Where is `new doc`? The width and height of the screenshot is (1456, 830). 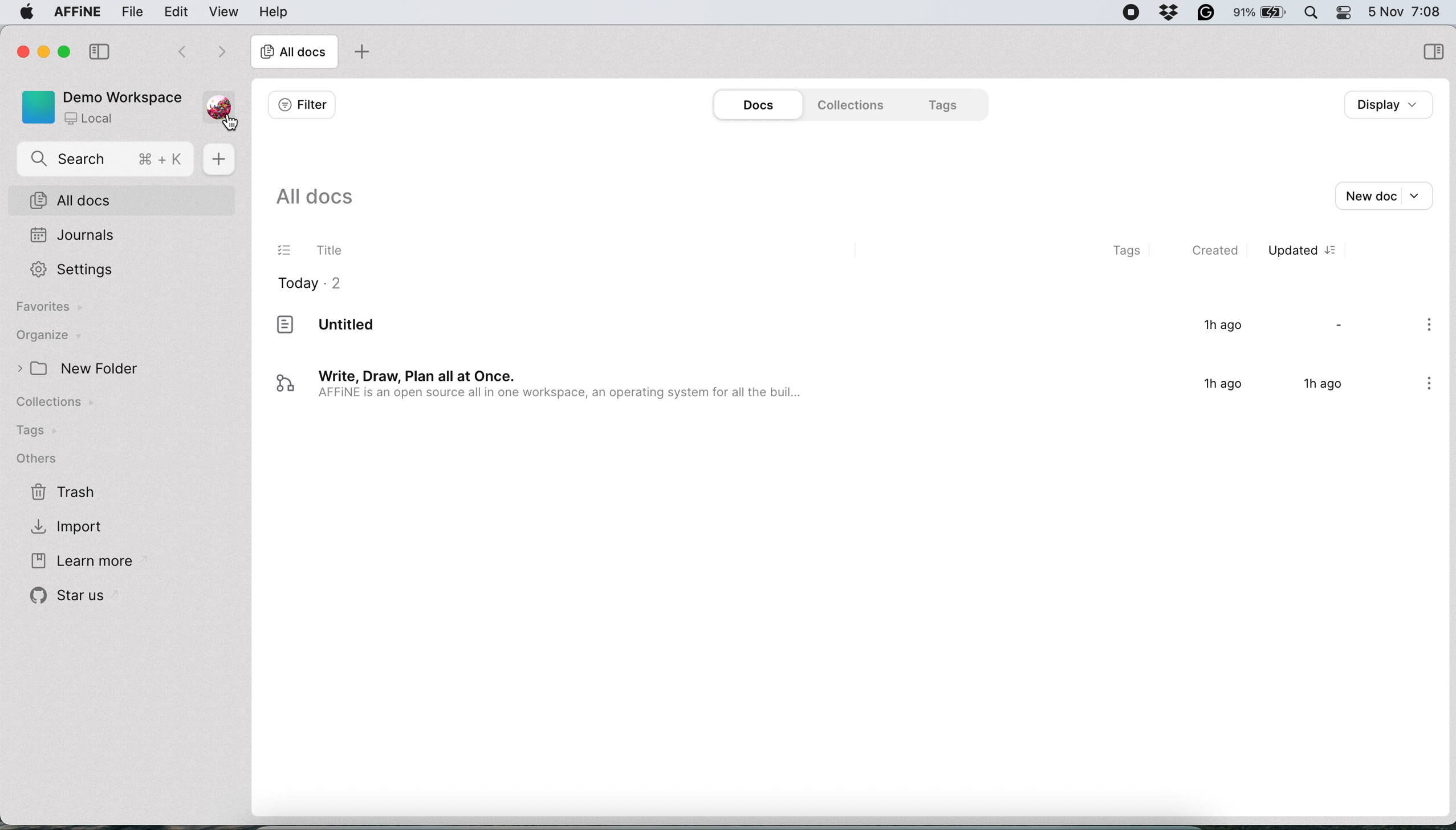 new doc is located at coordinates (1391, 194).